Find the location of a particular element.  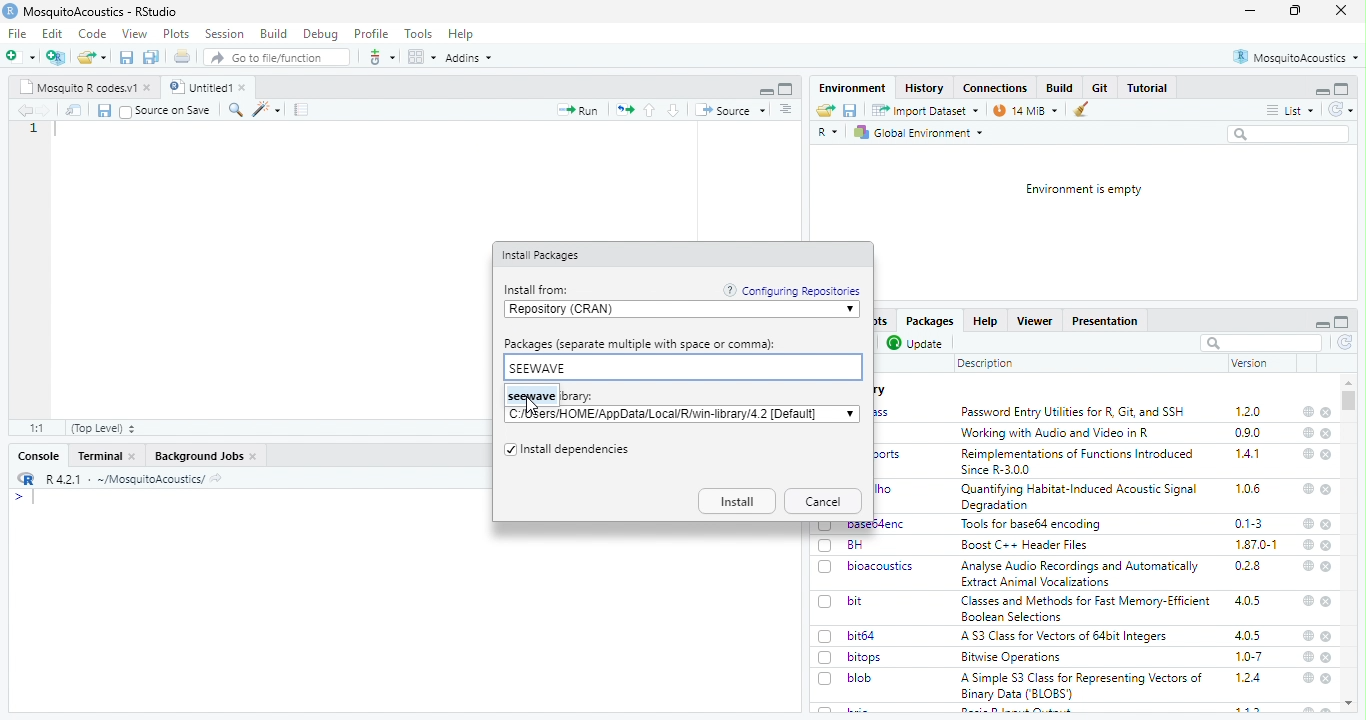

sync is located at coordinates (1340, 110).